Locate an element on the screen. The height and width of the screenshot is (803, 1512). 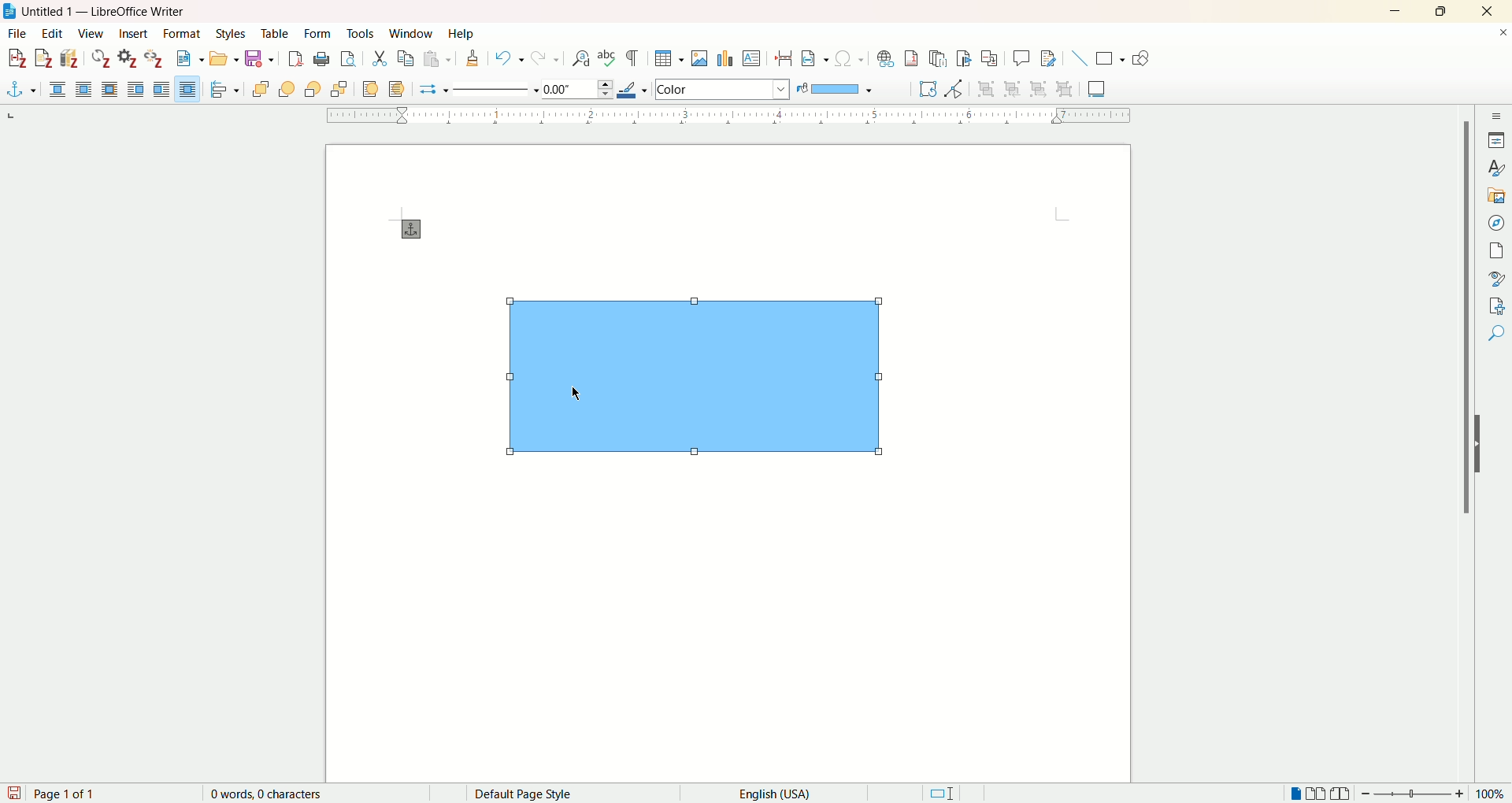
application icon is located at coordinates (9, 9).